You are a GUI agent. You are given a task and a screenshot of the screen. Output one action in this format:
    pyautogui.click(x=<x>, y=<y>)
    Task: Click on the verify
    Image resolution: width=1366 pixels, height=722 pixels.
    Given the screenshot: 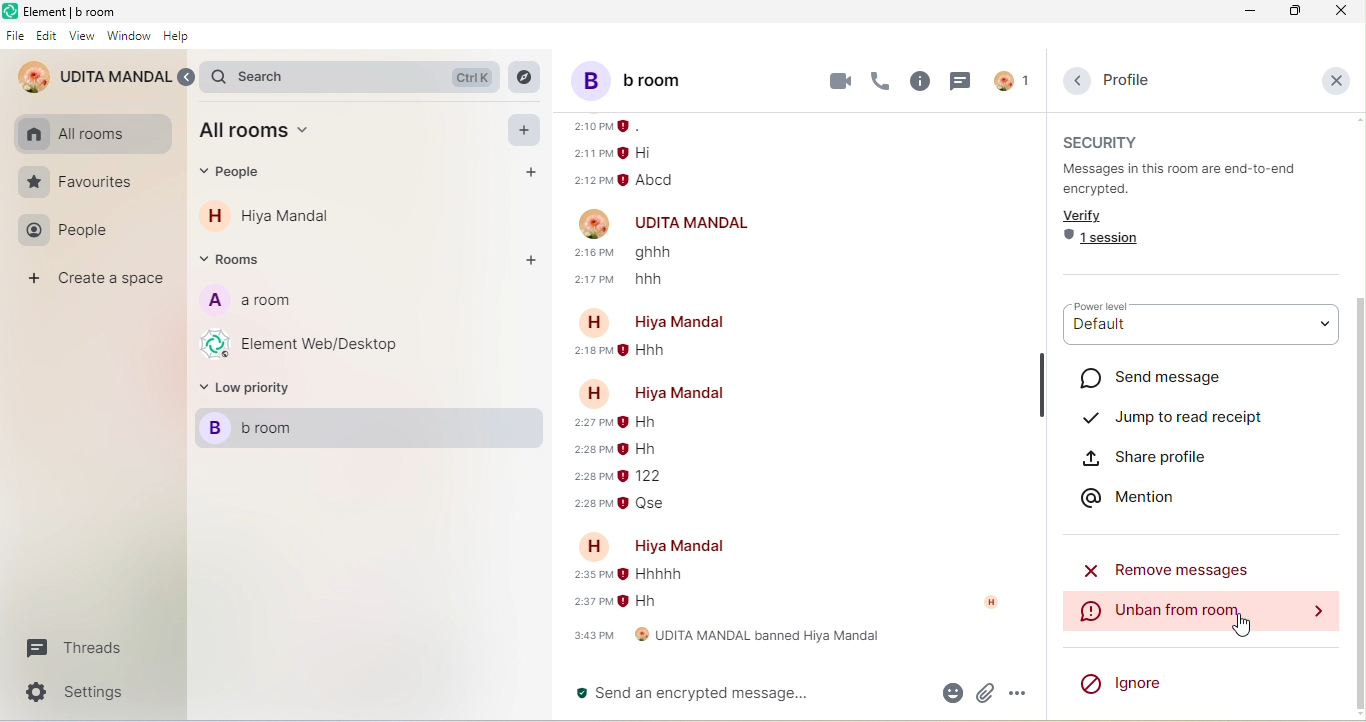 What is the action you would take?
    pyautogui.click(x=1089, y=216)
    